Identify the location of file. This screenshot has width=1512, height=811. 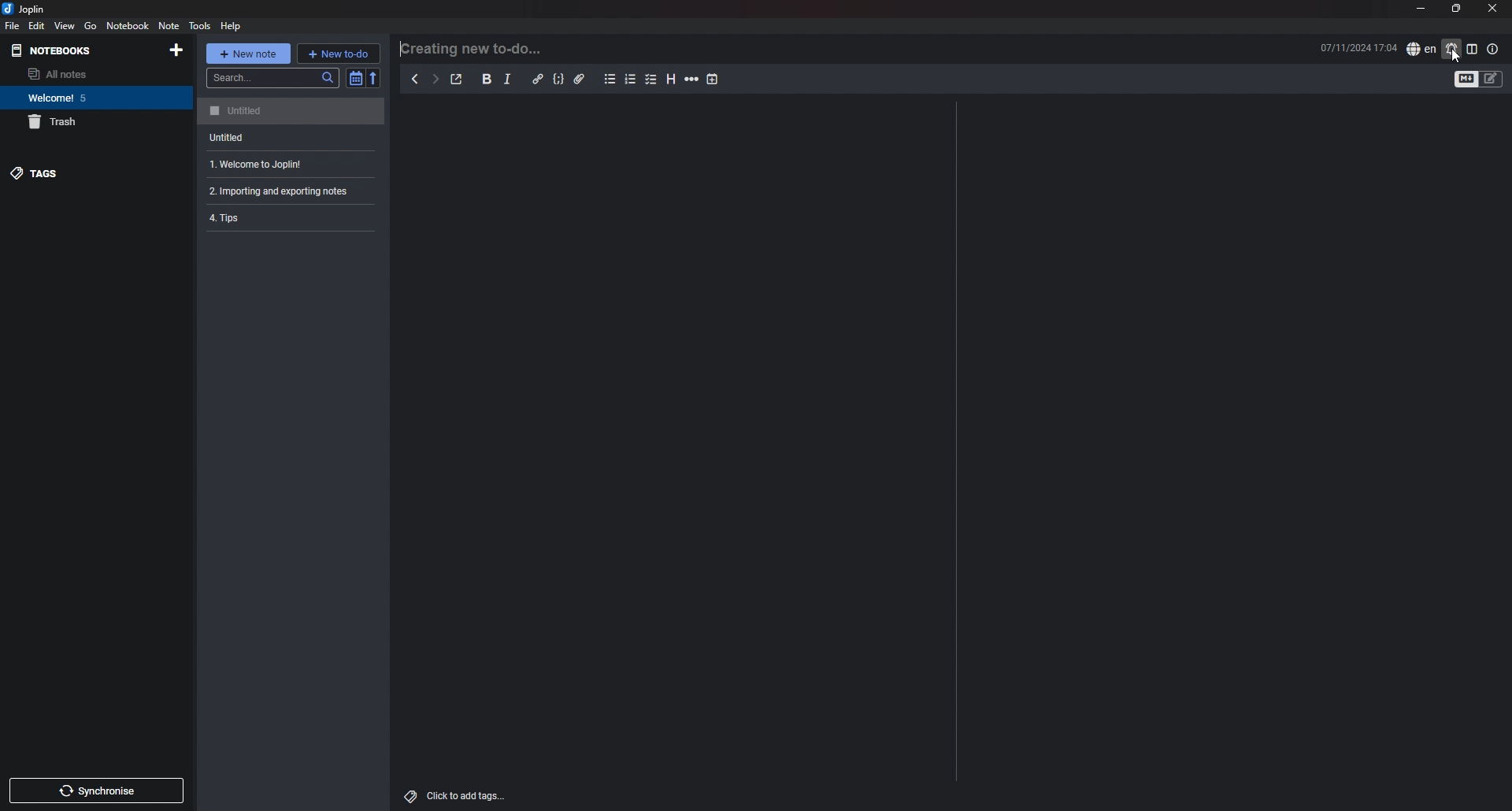
(12, 26).